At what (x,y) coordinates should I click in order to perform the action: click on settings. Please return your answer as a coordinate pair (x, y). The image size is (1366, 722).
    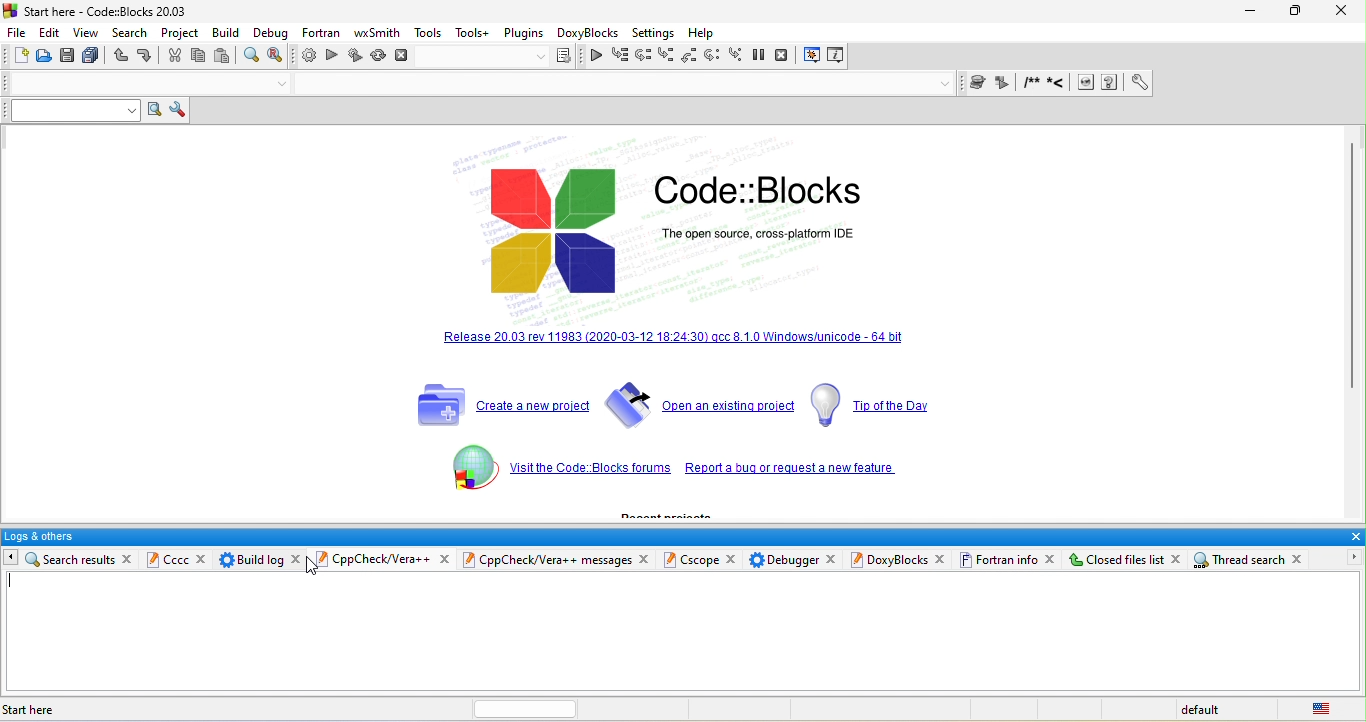
    Looking at the image, I should click on (655, 31).